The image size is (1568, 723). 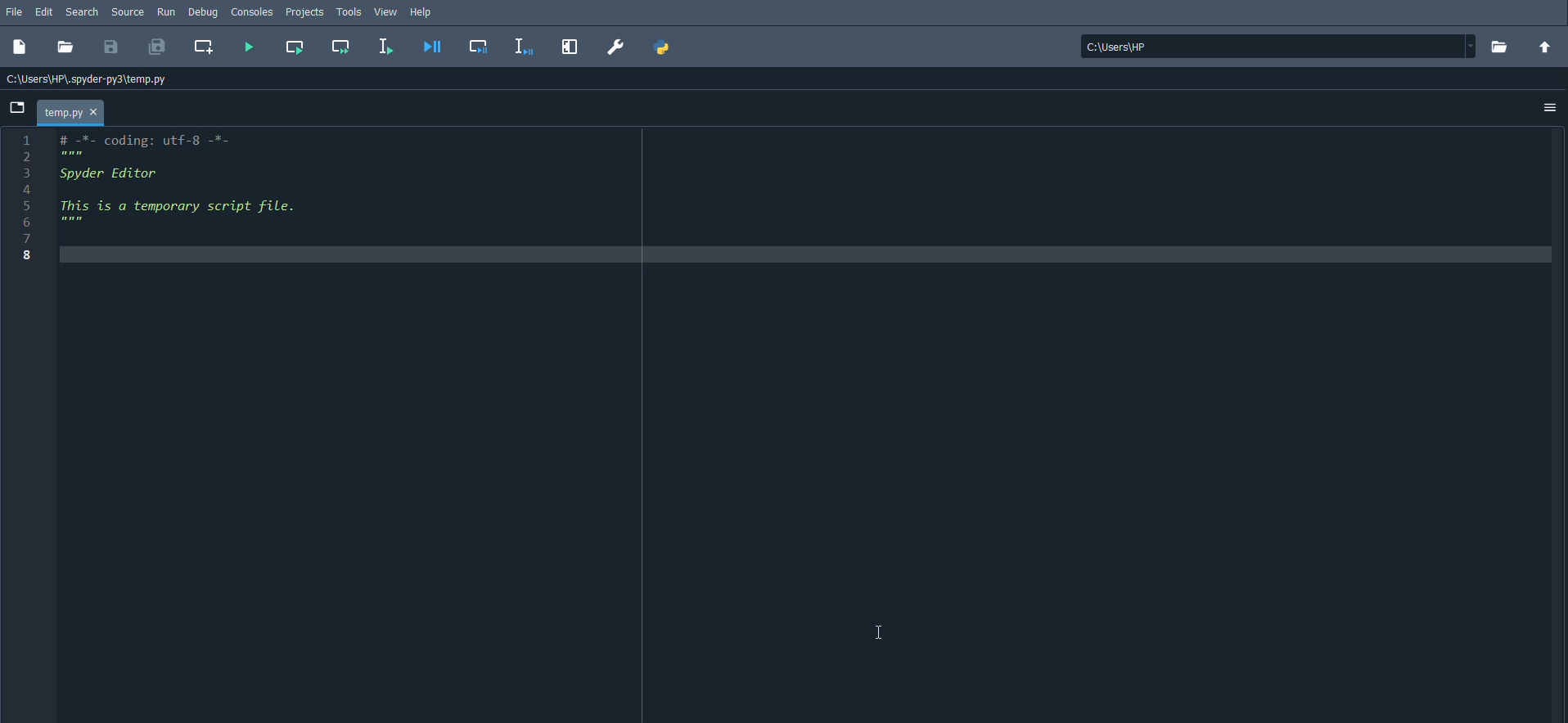 I want to click on Create new cell at the current line, so click(x=206, y=47).